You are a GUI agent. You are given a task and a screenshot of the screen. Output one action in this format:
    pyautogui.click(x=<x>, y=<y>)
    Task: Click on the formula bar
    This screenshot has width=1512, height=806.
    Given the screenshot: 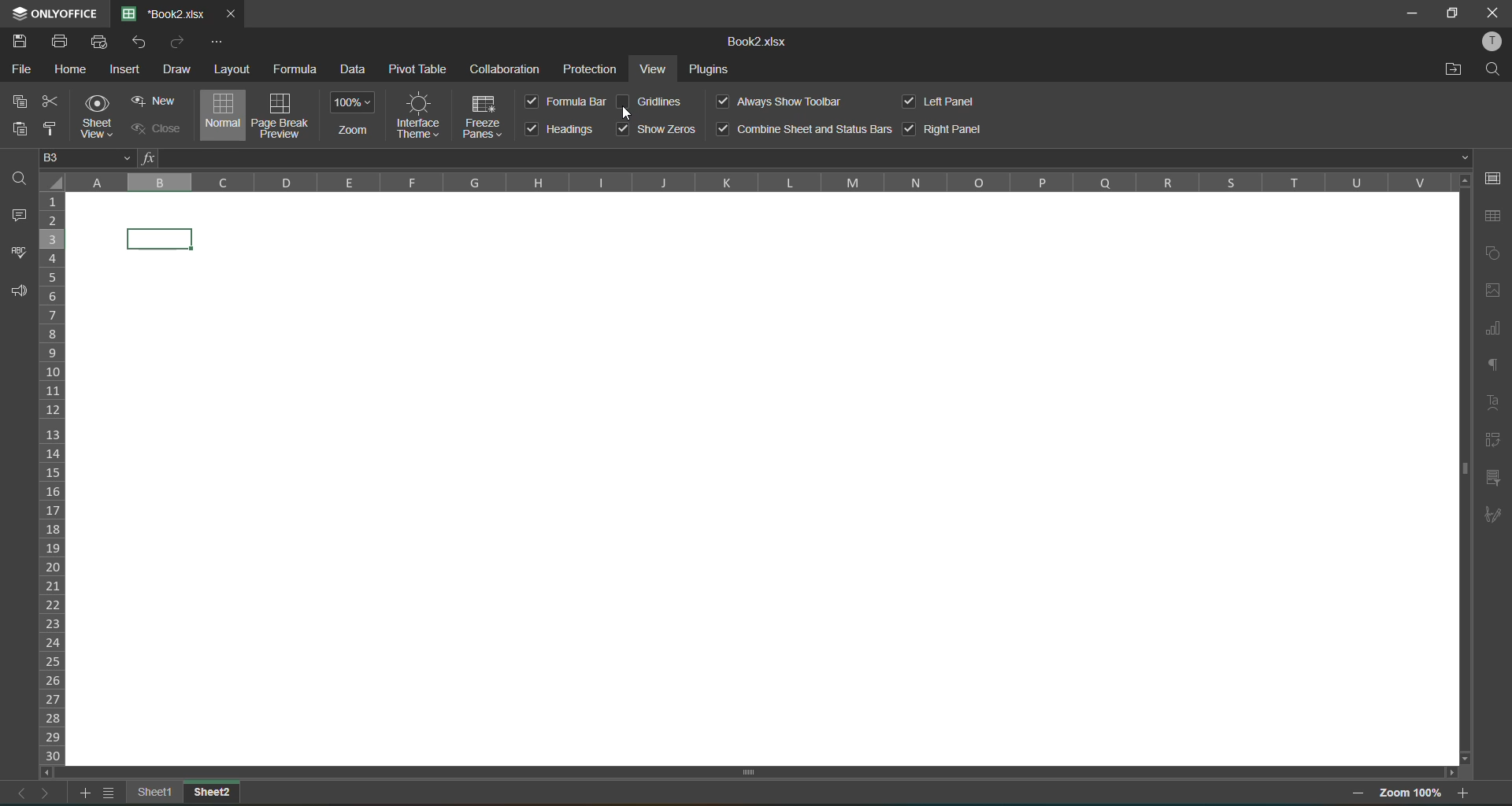 What is the action you would take?
    pyautogui.click(x=567, y=102)
    